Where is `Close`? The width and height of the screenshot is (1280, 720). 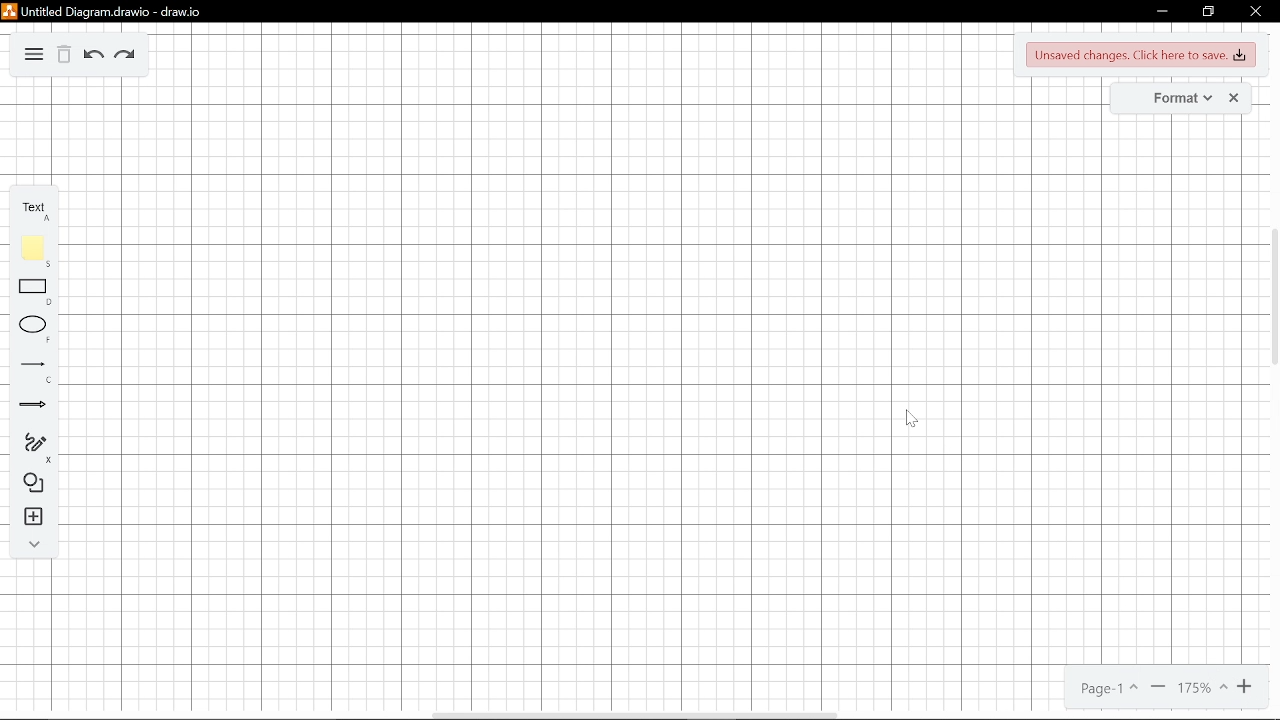
Close is located at coordinates (1234, 97).